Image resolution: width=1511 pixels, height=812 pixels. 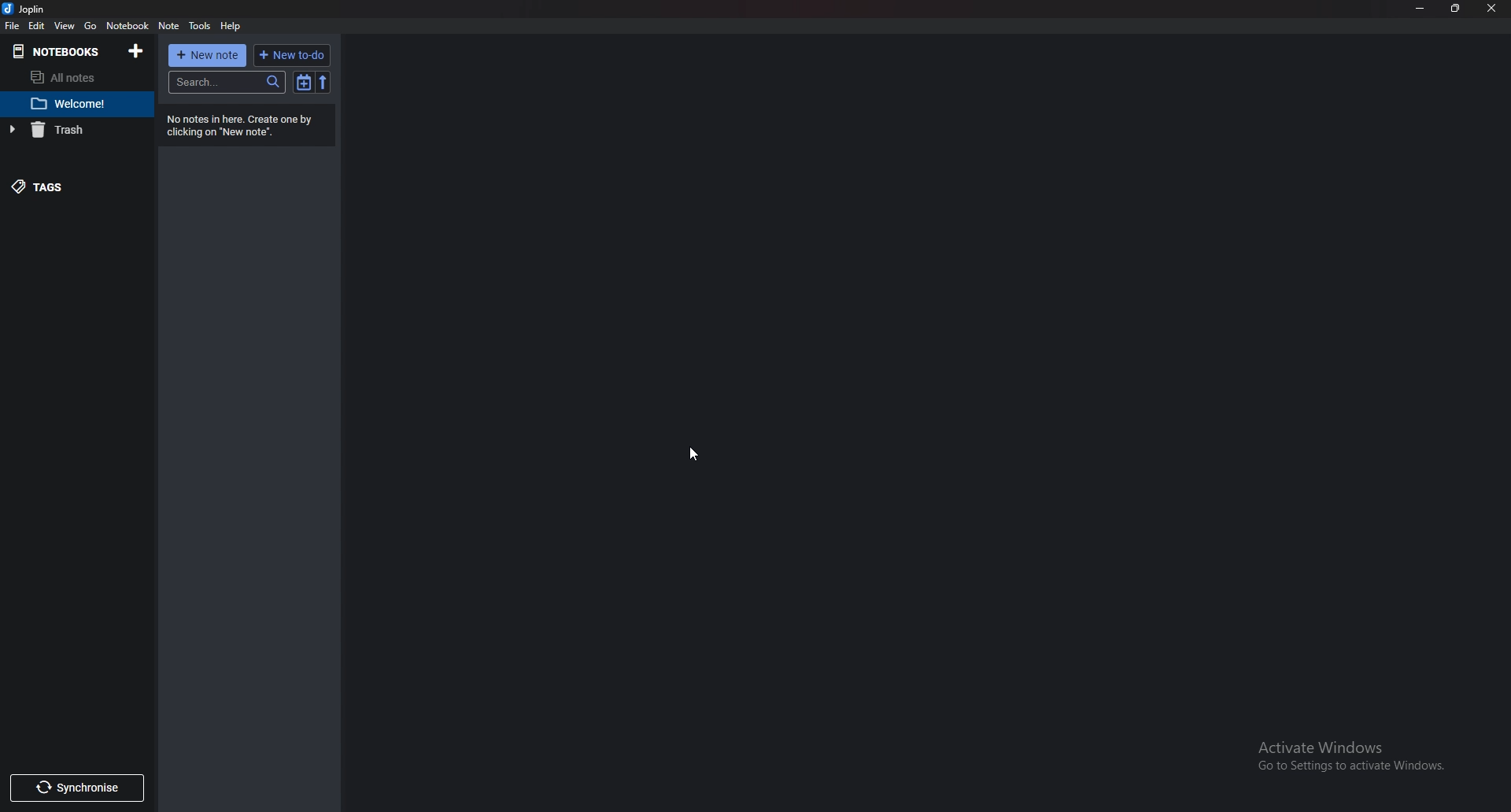 What do you see at coordinates (126, 25) in the screenshot?
I see `Notebook` at bounding box center [126, 25].